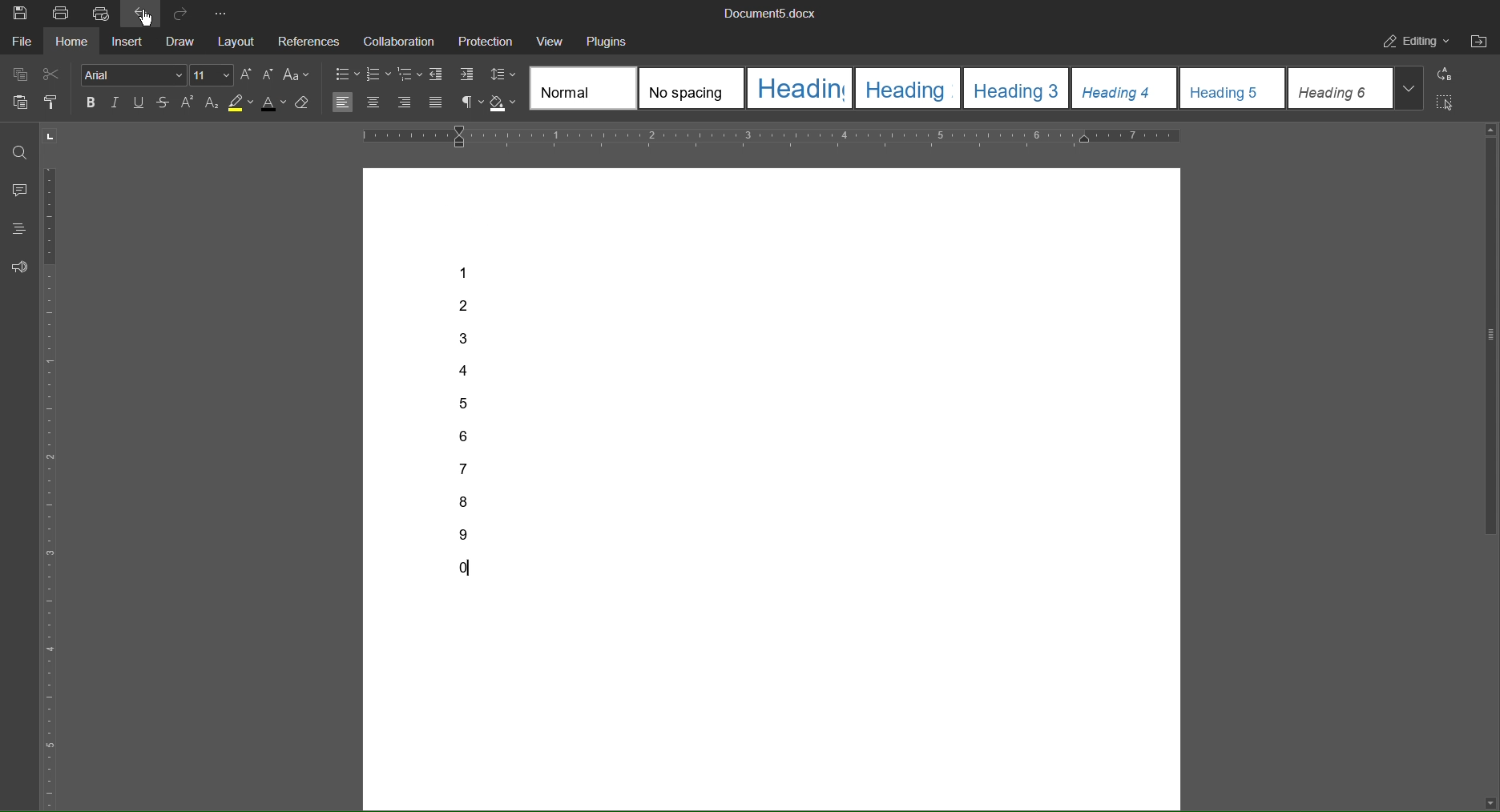 Image resolution: width=1500 pixels, height=812 pixels. Describe the element at coordinates (75, 42) in the screenshot. I see `Home` at that location.